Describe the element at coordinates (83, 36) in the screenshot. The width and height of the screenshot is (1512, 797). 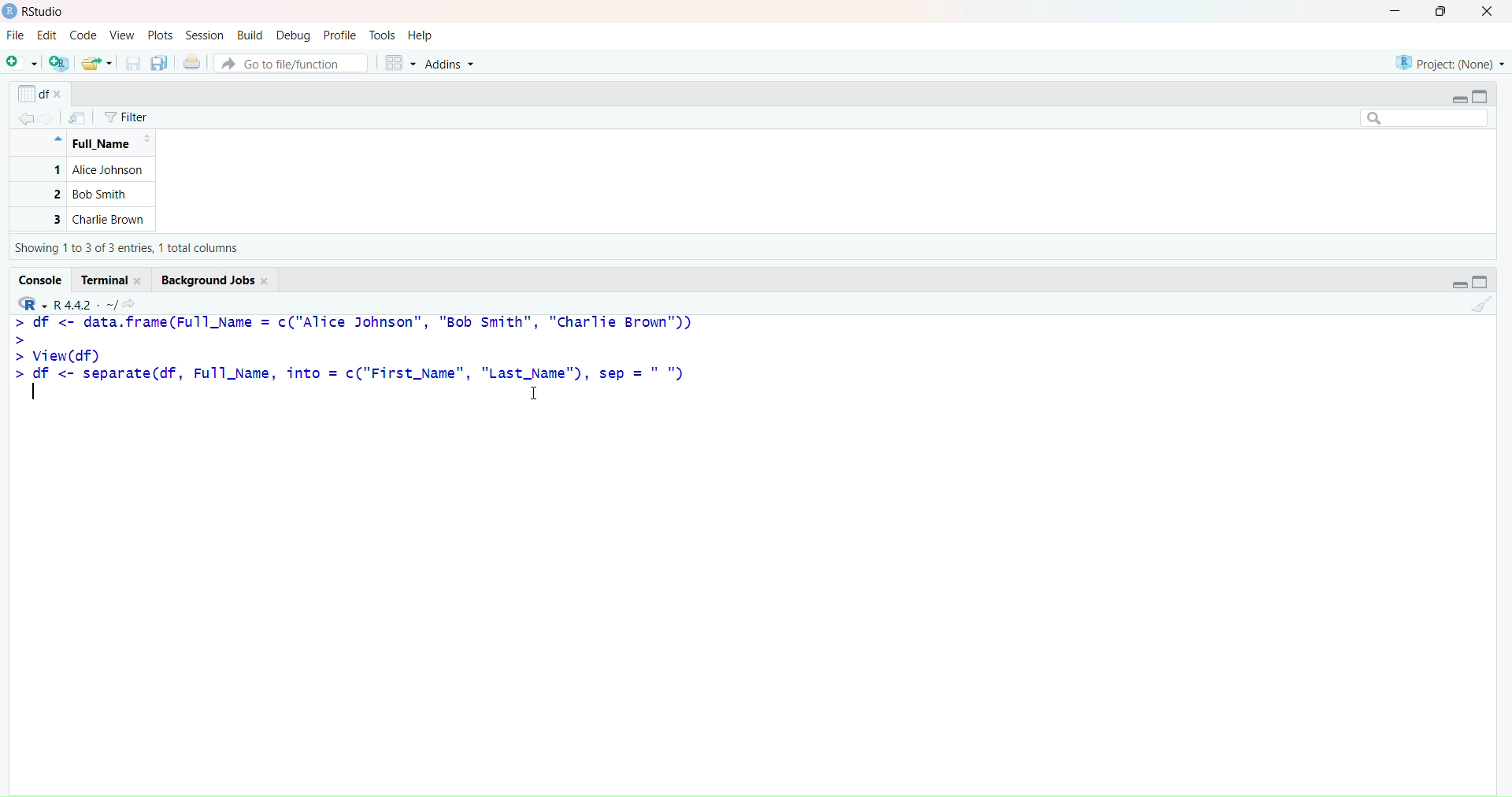
I see `Code` at that location.